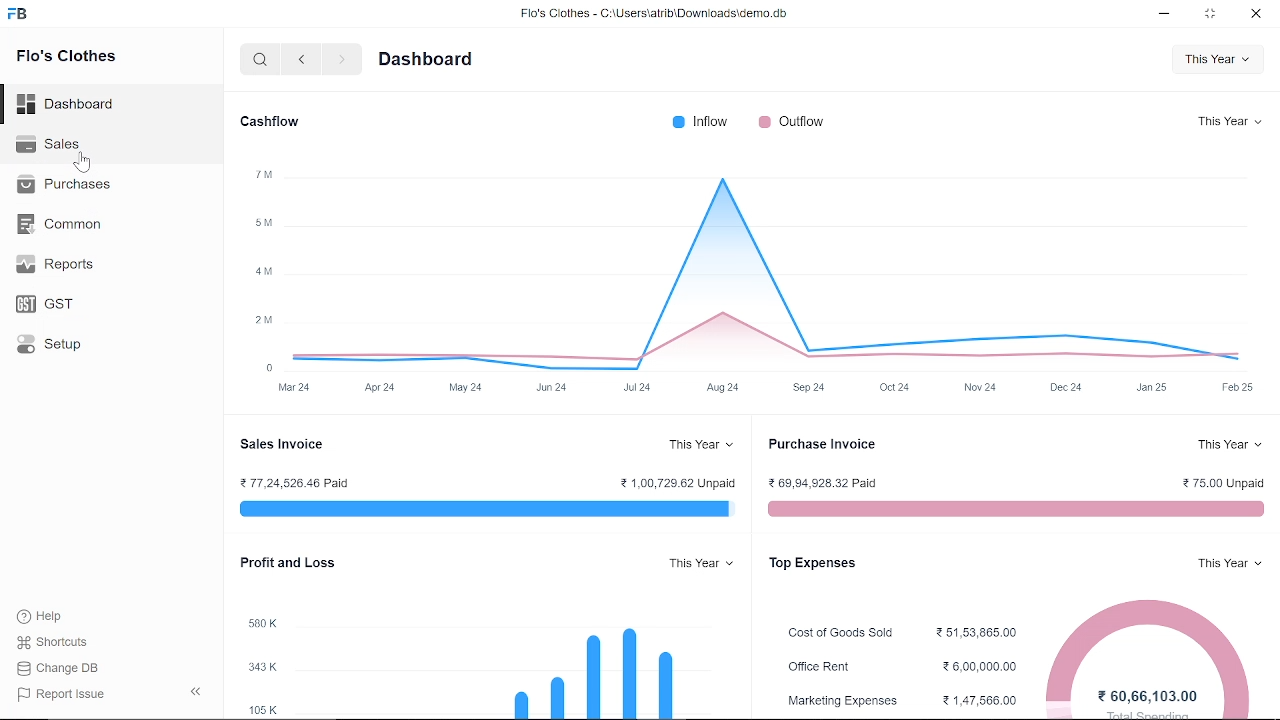 The width and height of the screenshot is (1280, 720). I want to click on frappe books, so click(18, 16).